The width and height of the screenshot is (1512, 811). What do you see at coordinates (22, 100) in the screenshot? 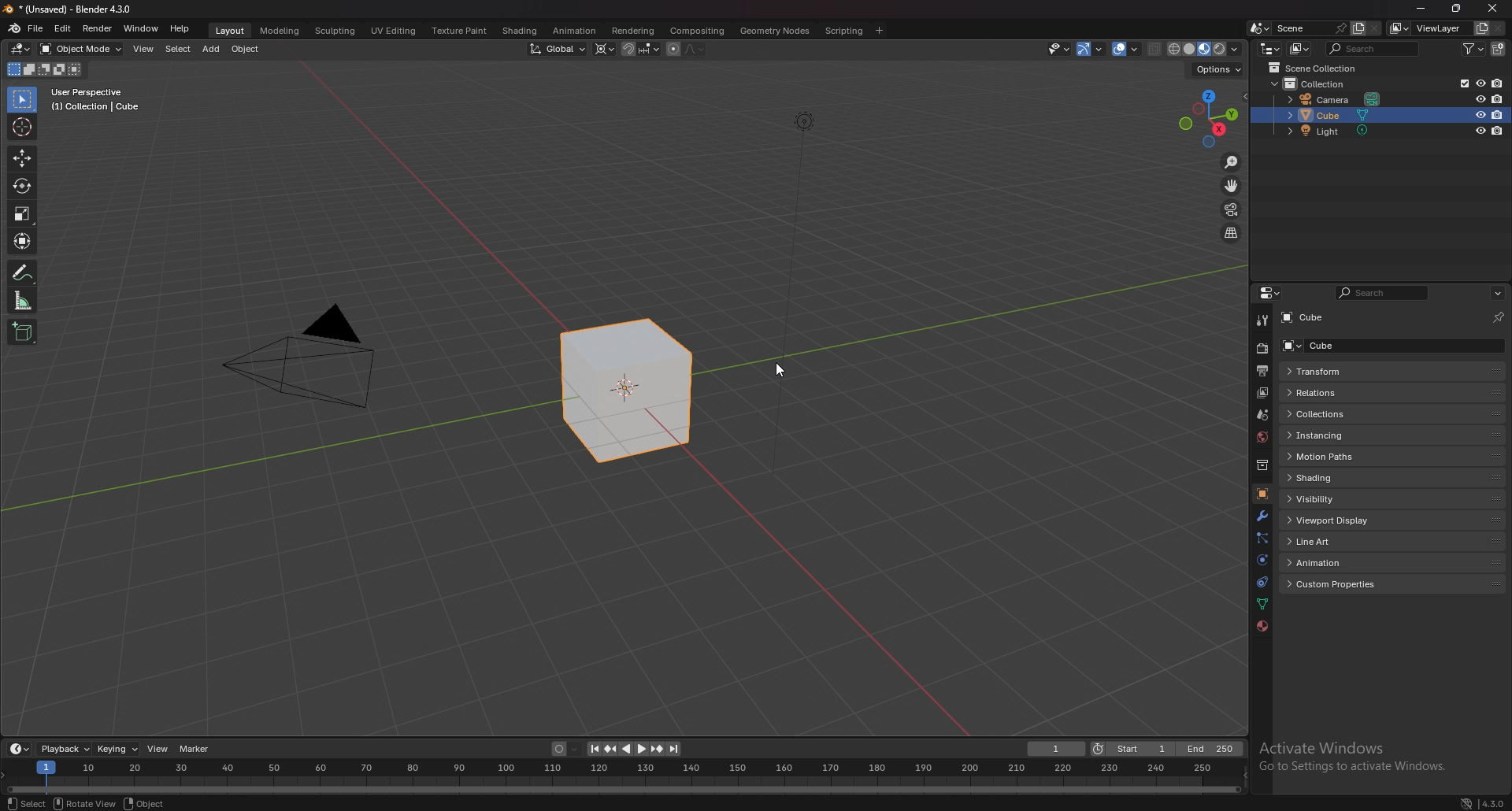
I see `selector` at bounding box center [22, 100].